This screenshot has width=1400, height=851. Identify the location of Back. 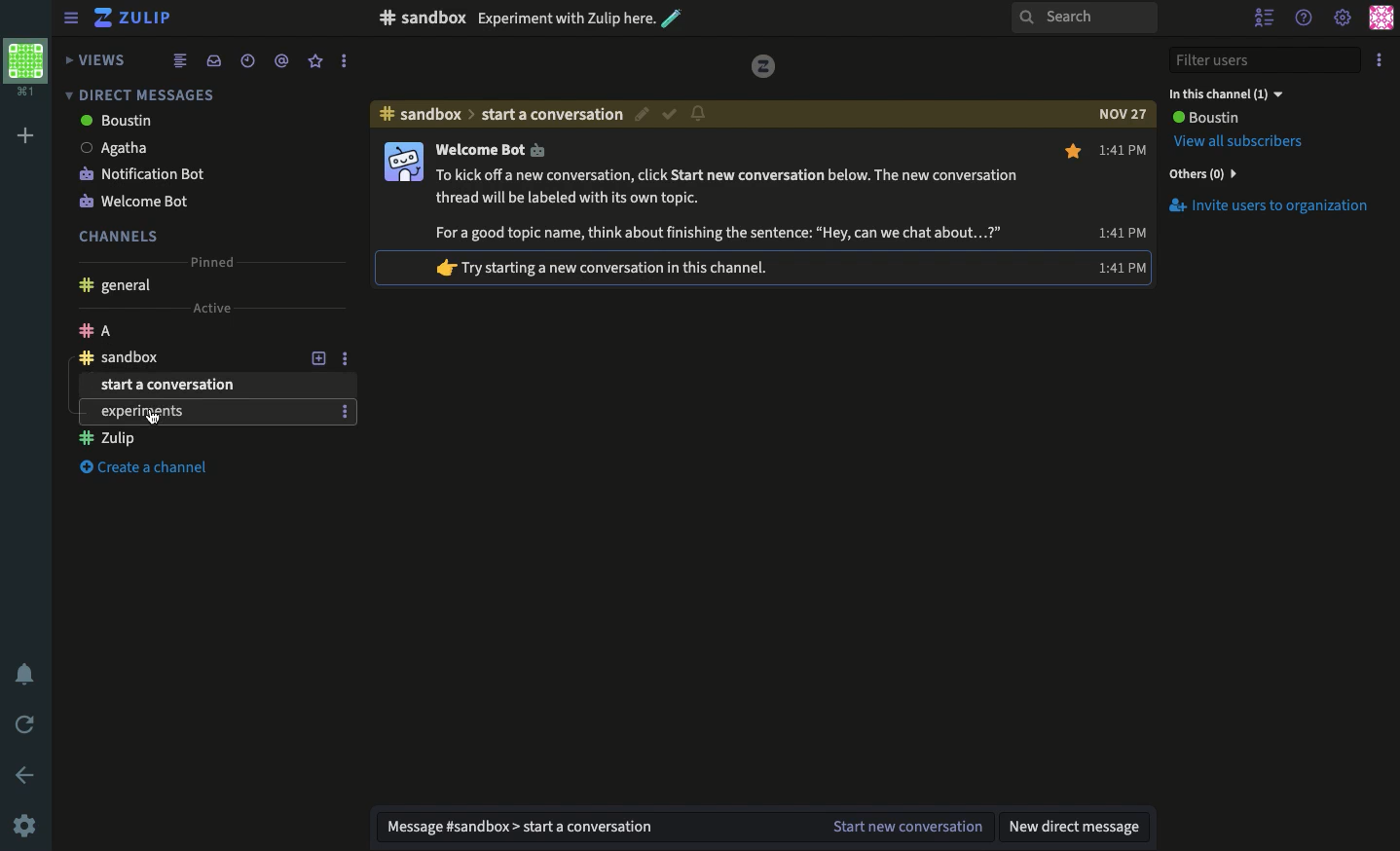
(27, 775).